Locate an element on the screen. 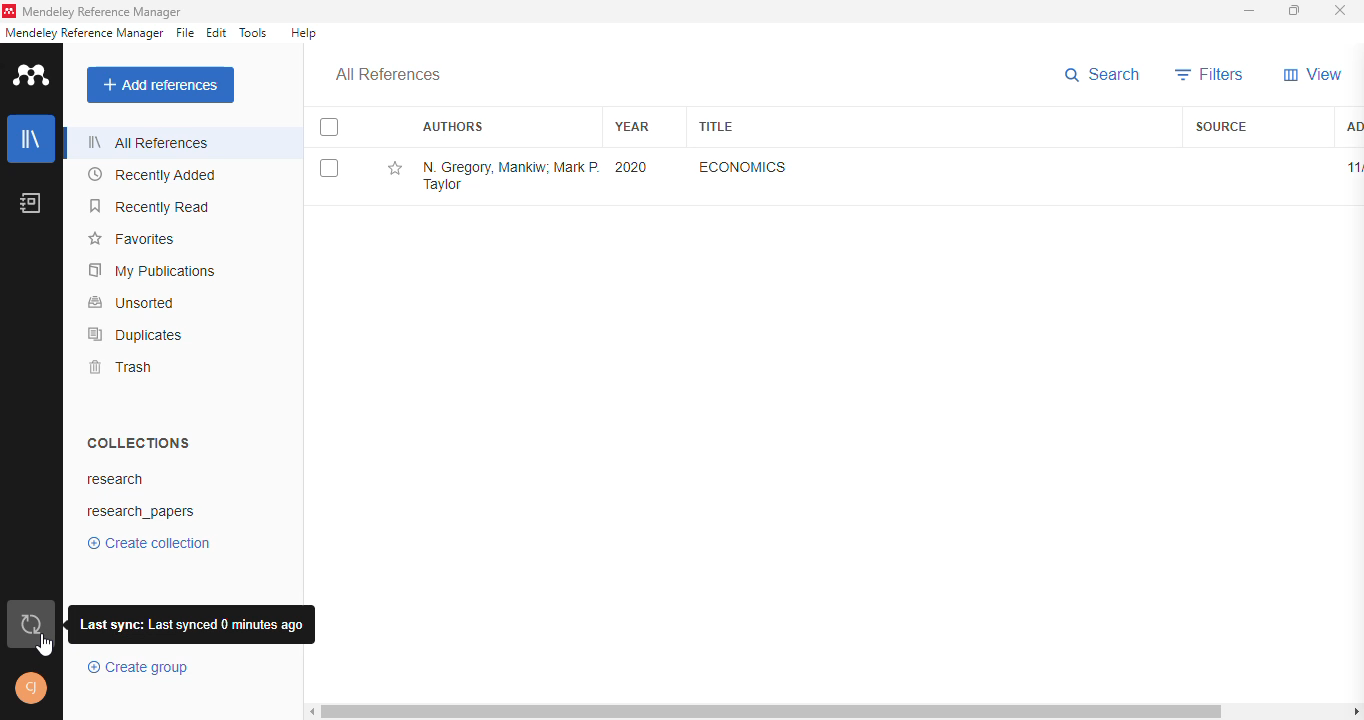 Image resolution: width=1364 pixels, height=720 pixels. recently added is located at coordinates (151, 175).